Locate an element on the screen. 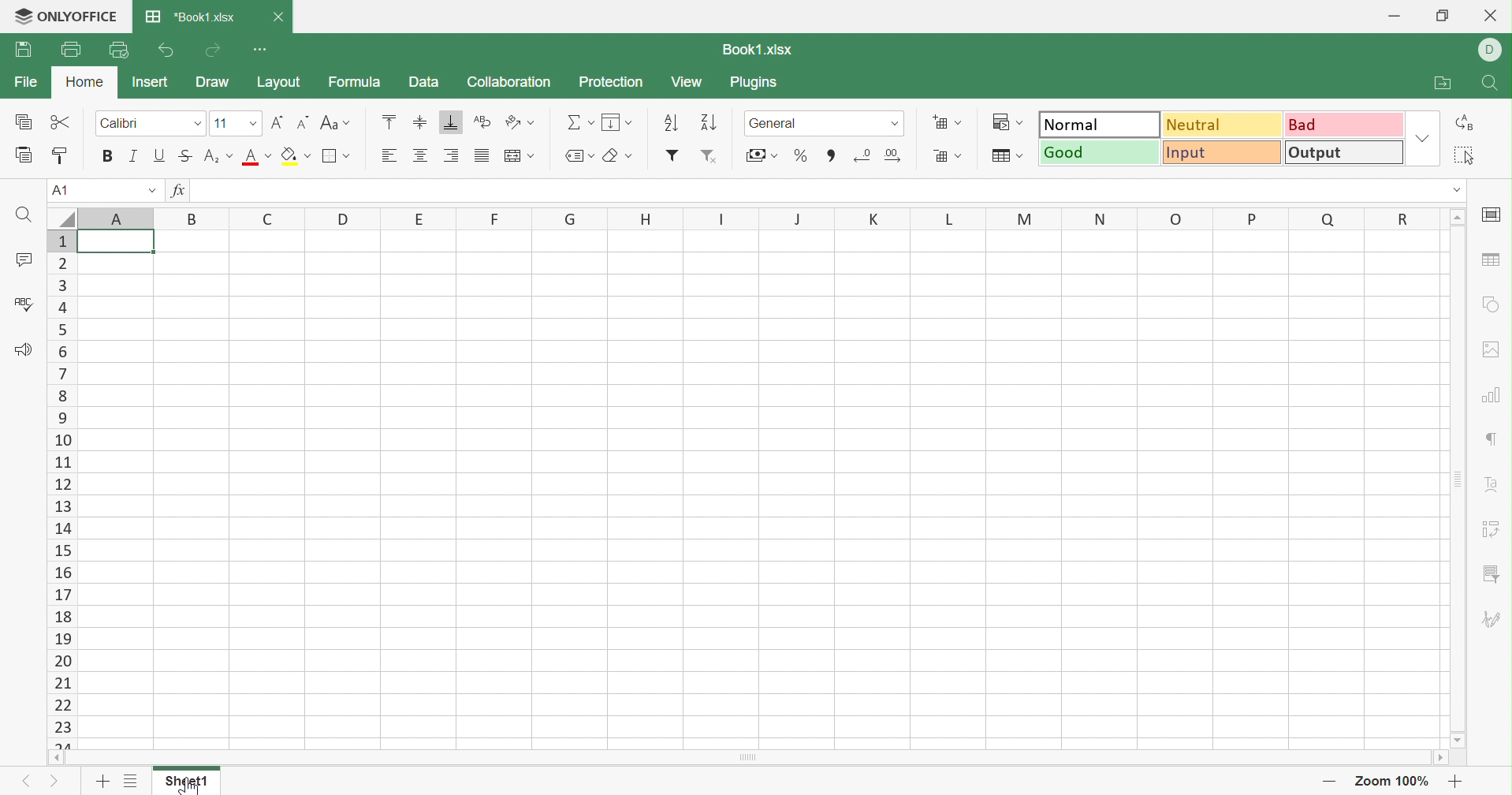 This screenshot has width=1512, height=795. Select all is located at coordinates (1465, 156).